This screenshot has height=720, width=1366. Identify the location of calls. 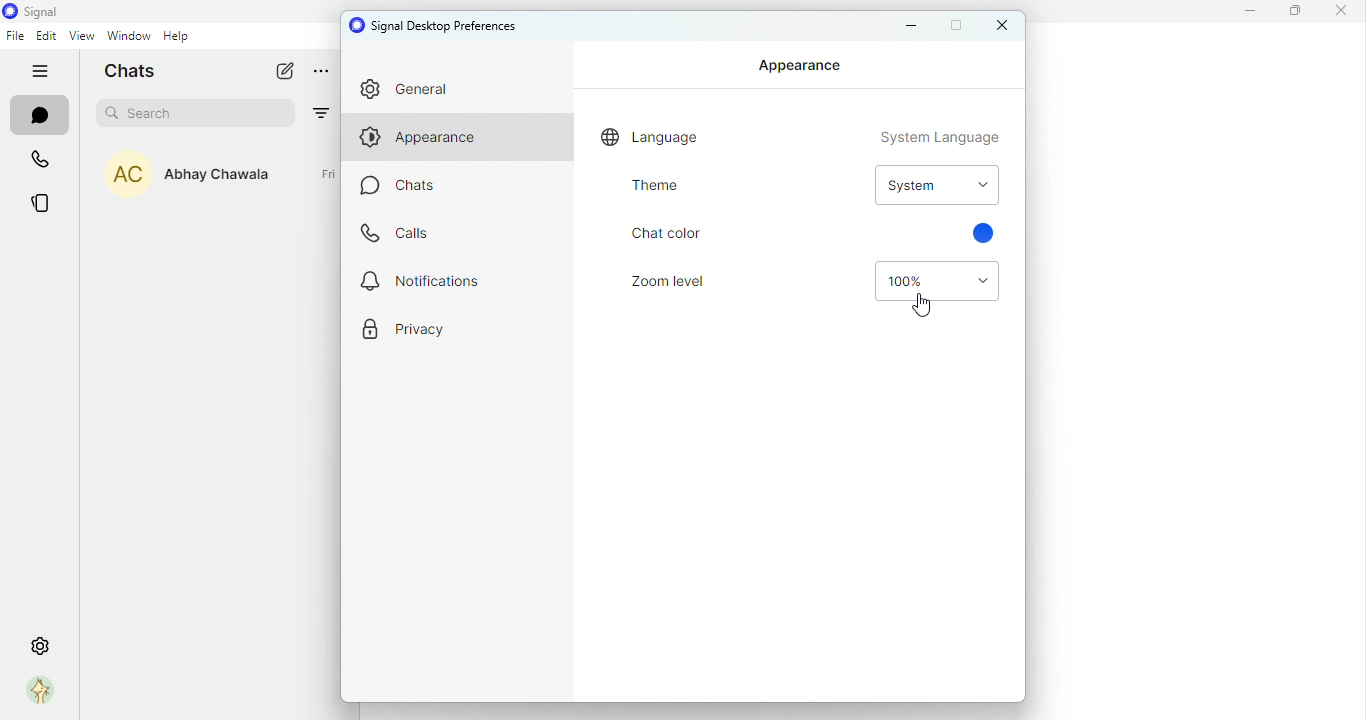
(406, 237).